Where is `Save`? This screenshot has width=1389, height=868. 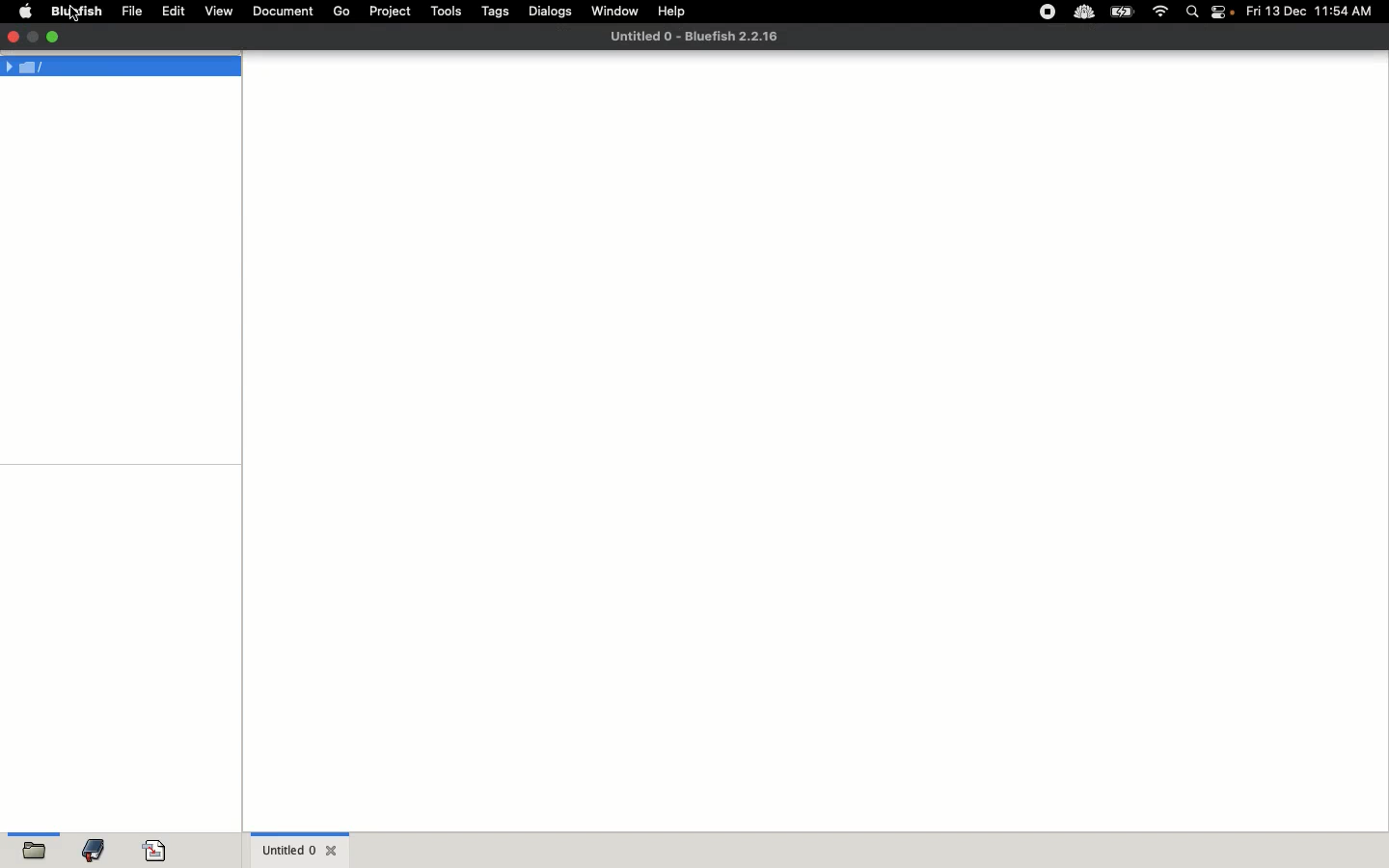
Save is located at coordinates (30, 851).